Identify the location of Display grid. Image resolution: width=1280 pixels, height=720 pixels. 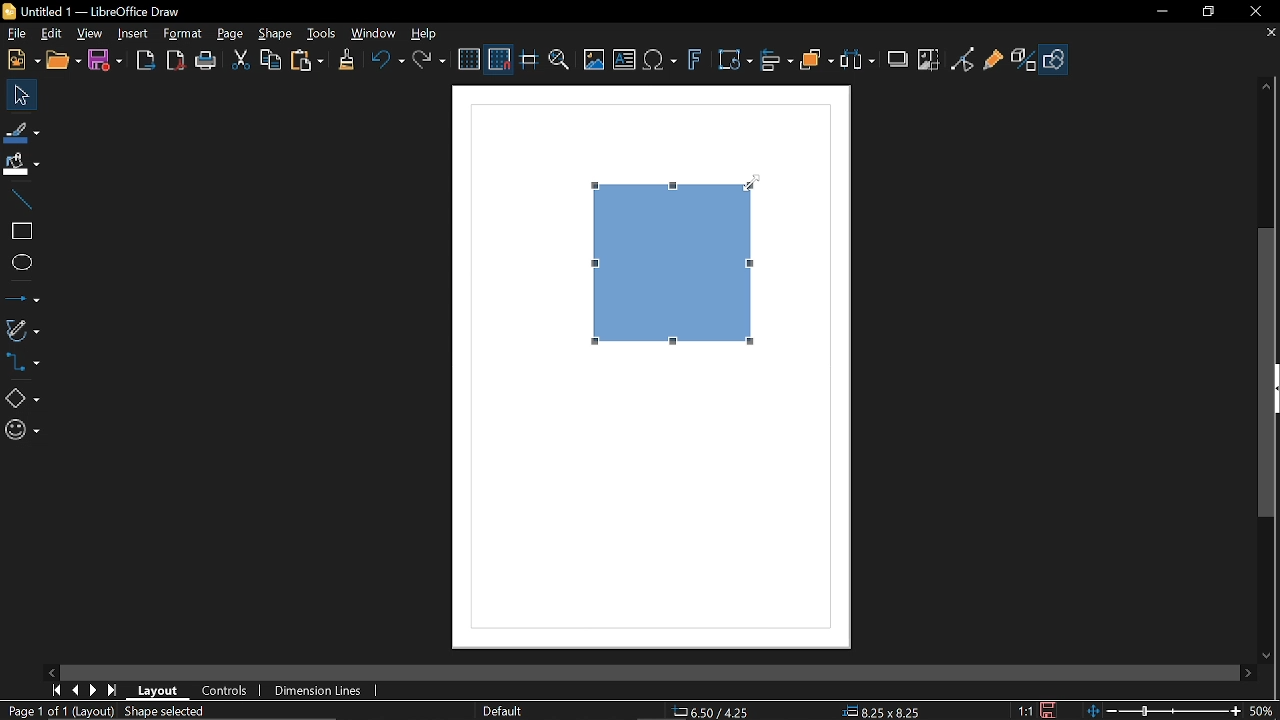
(470, 60).